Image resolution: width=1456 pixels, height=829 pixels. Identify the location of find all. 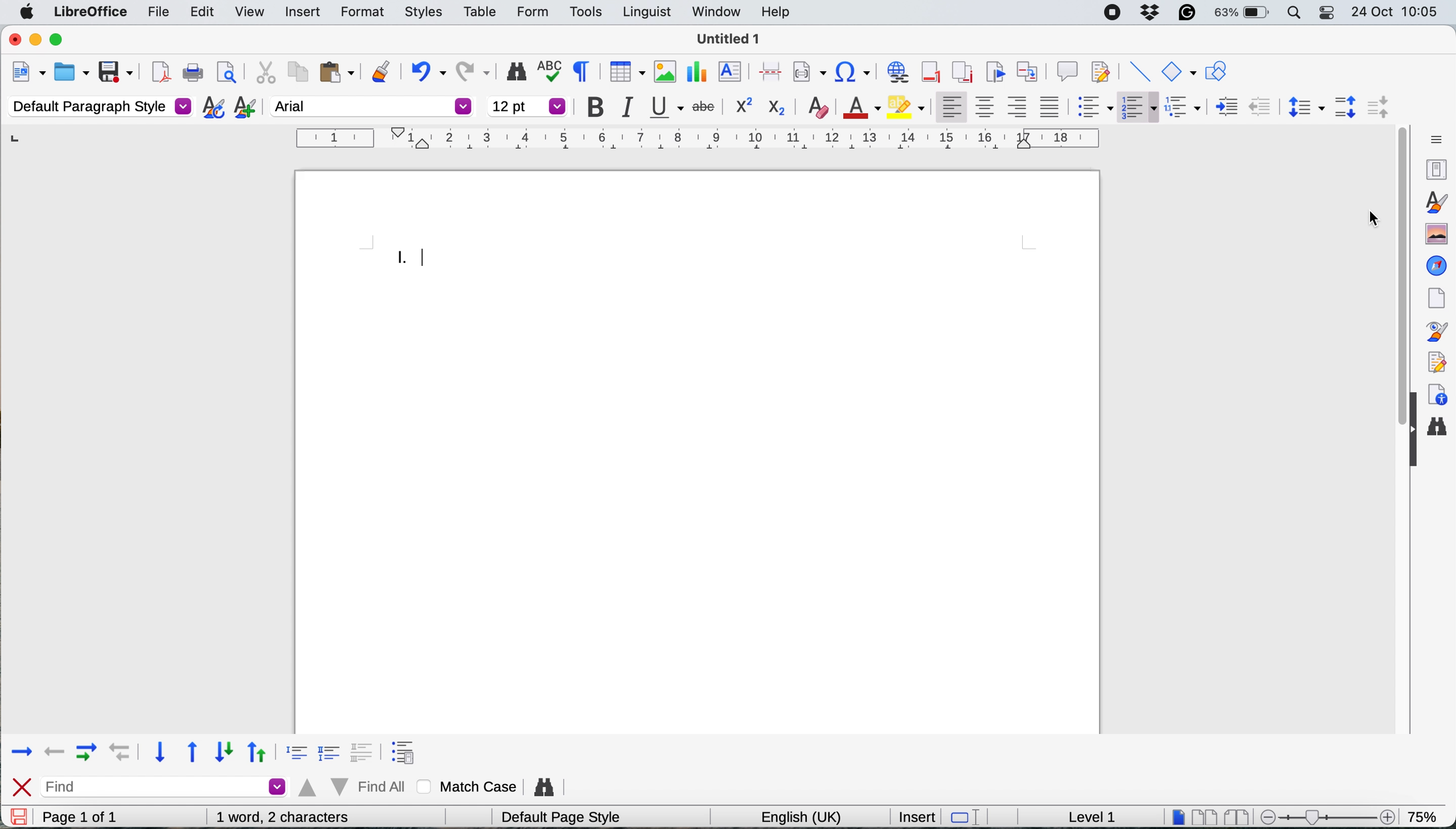
(354, 787).